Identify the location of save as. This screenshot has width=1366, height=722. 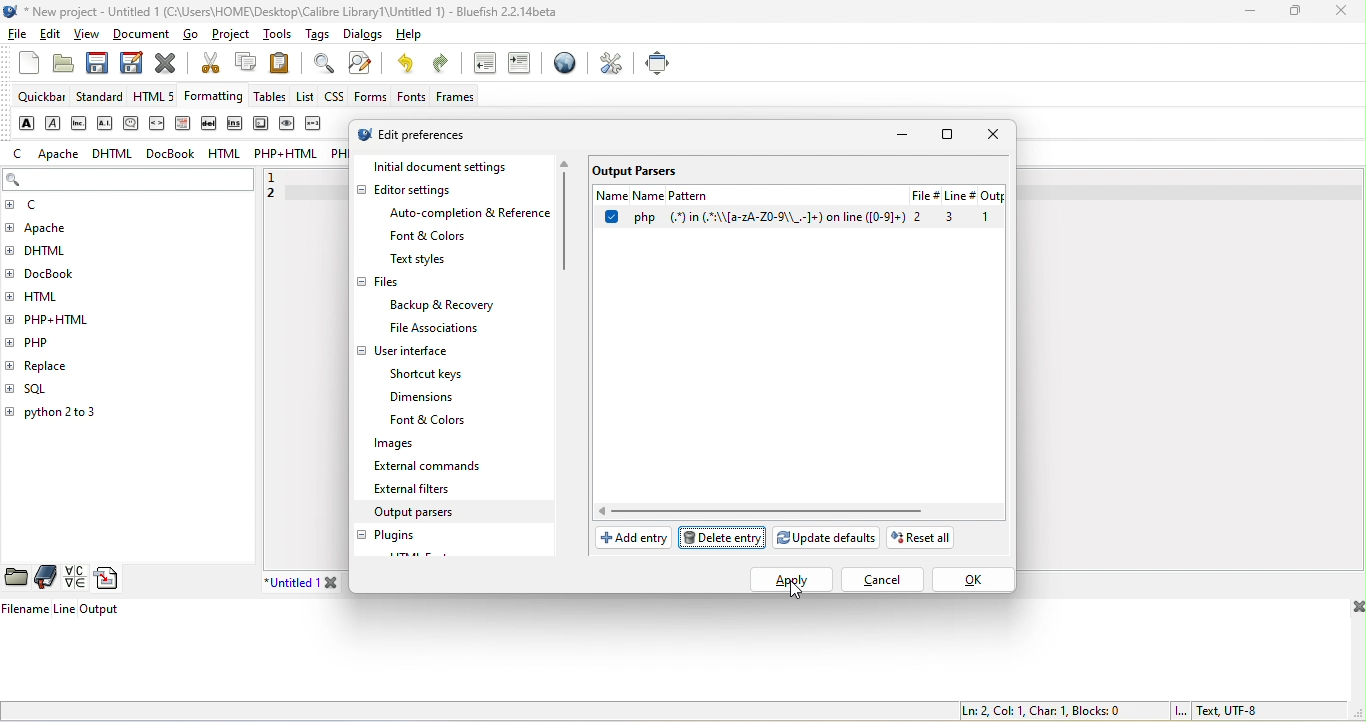
(129, 62).